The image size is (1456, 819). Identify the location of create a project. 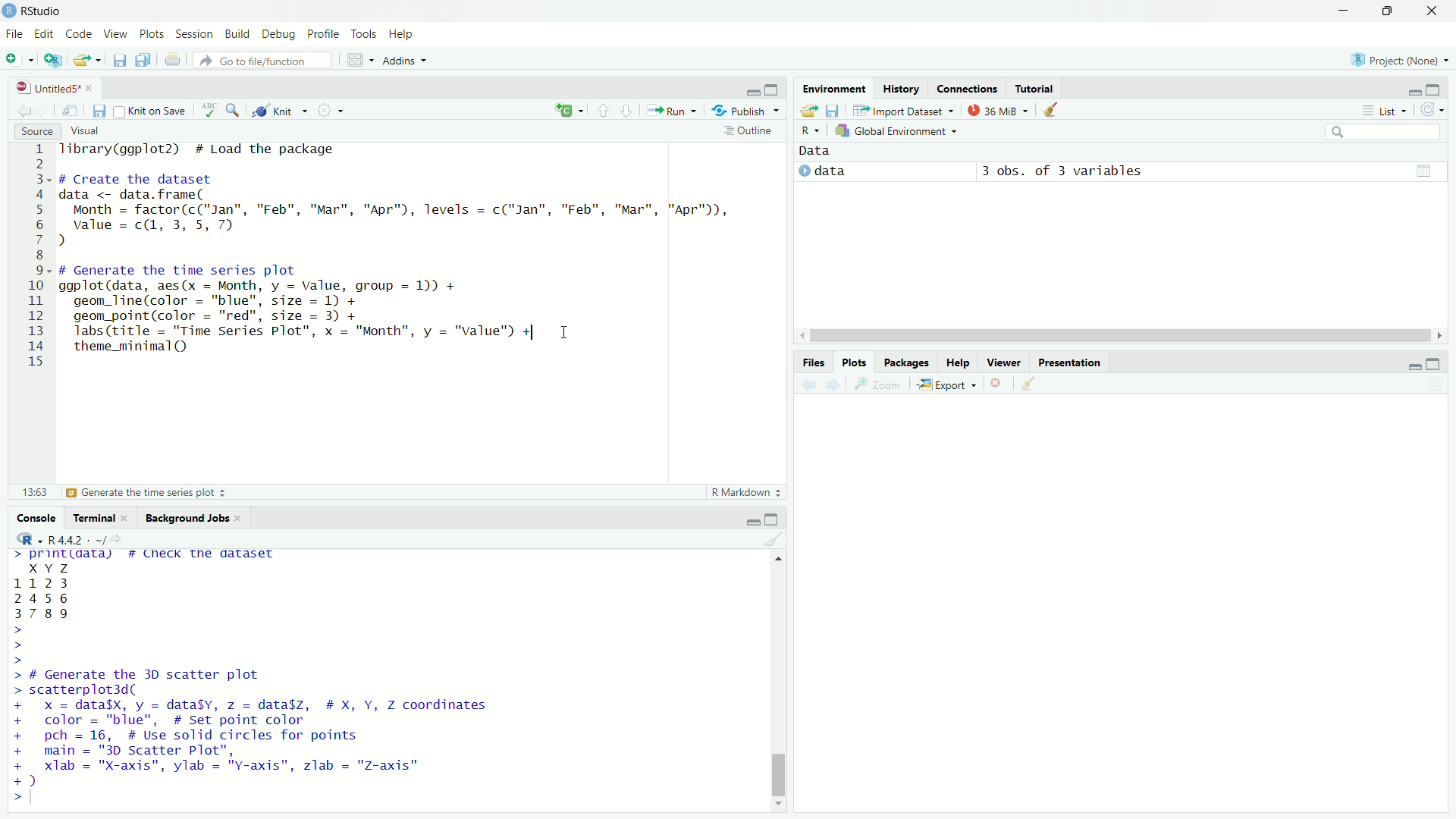
(54, 60).